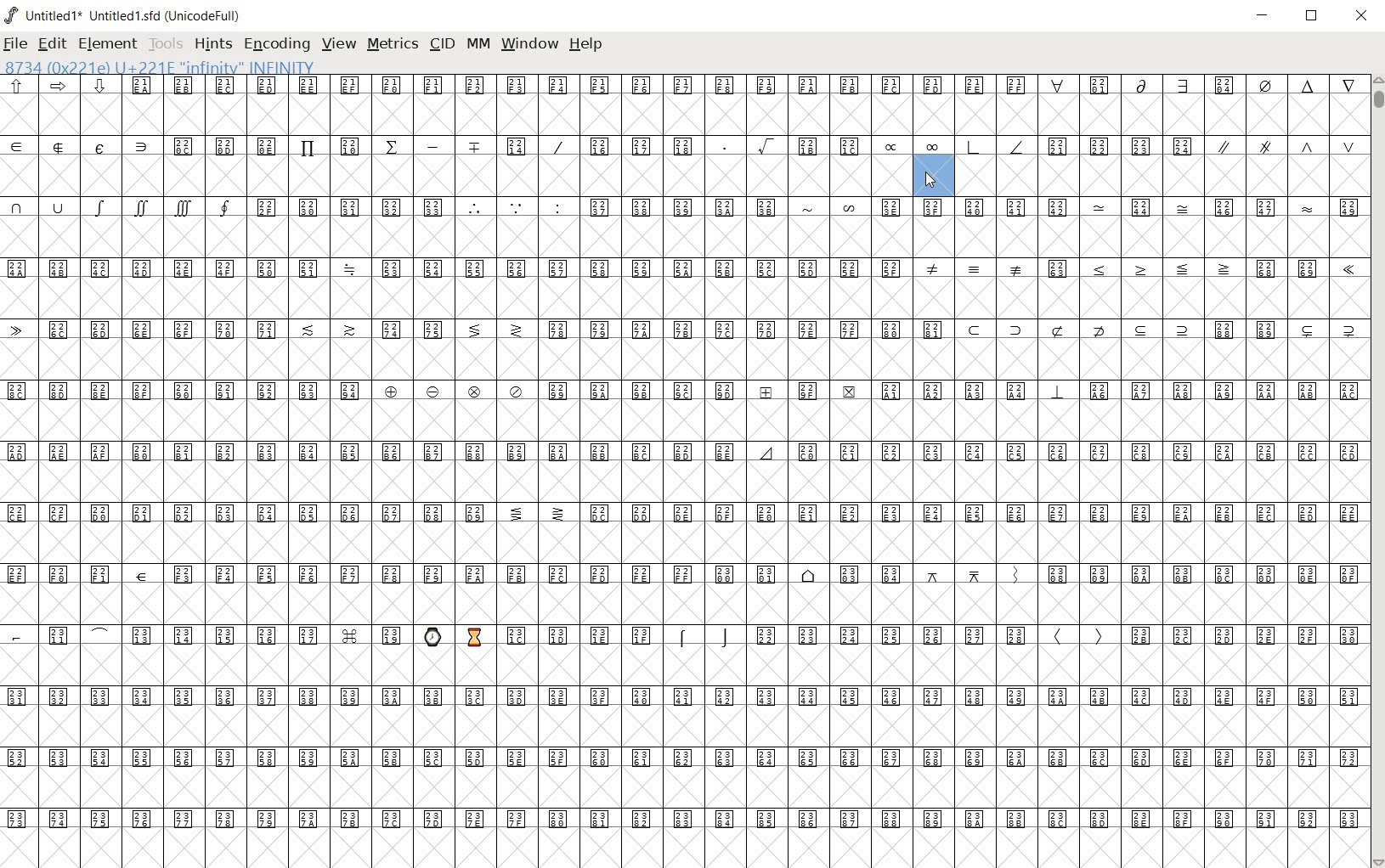  I want to click on symbol, so click(1100, 207).